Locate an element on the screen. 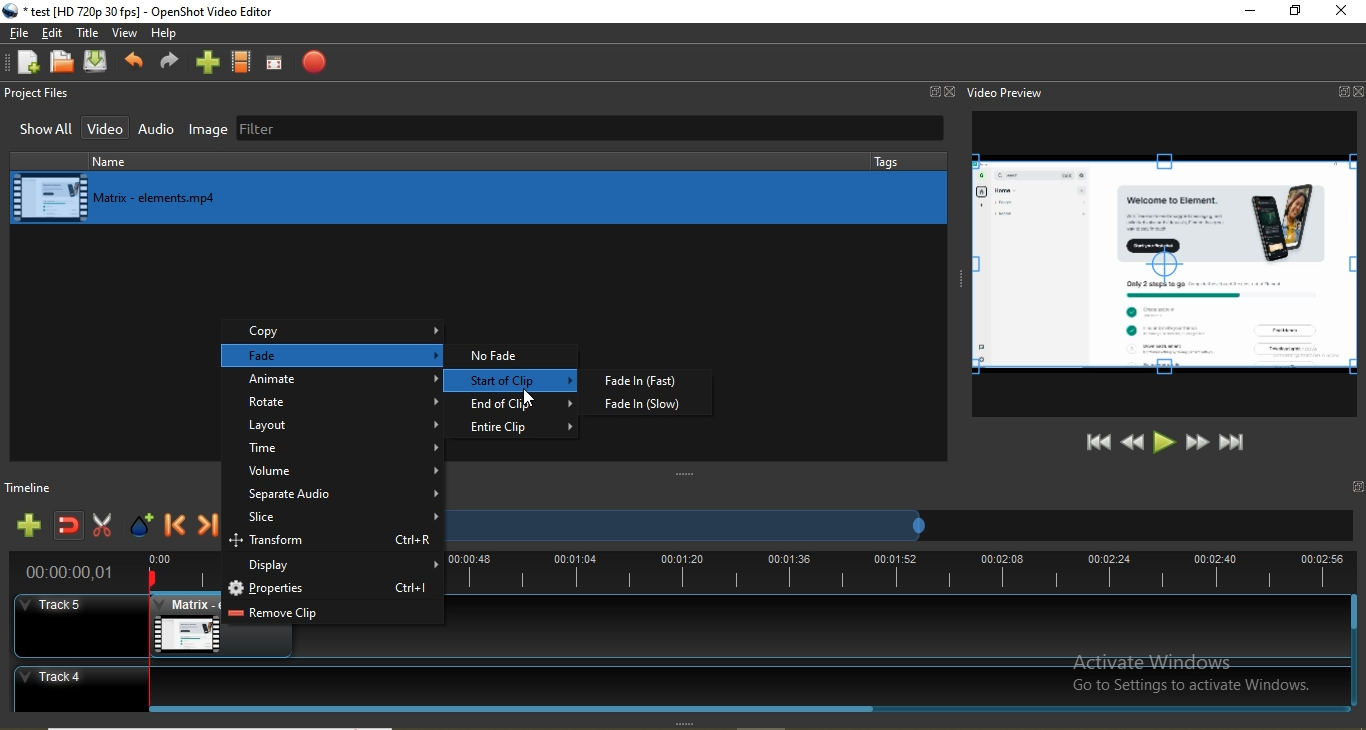  Next marker is located at coordinates (211, 529).